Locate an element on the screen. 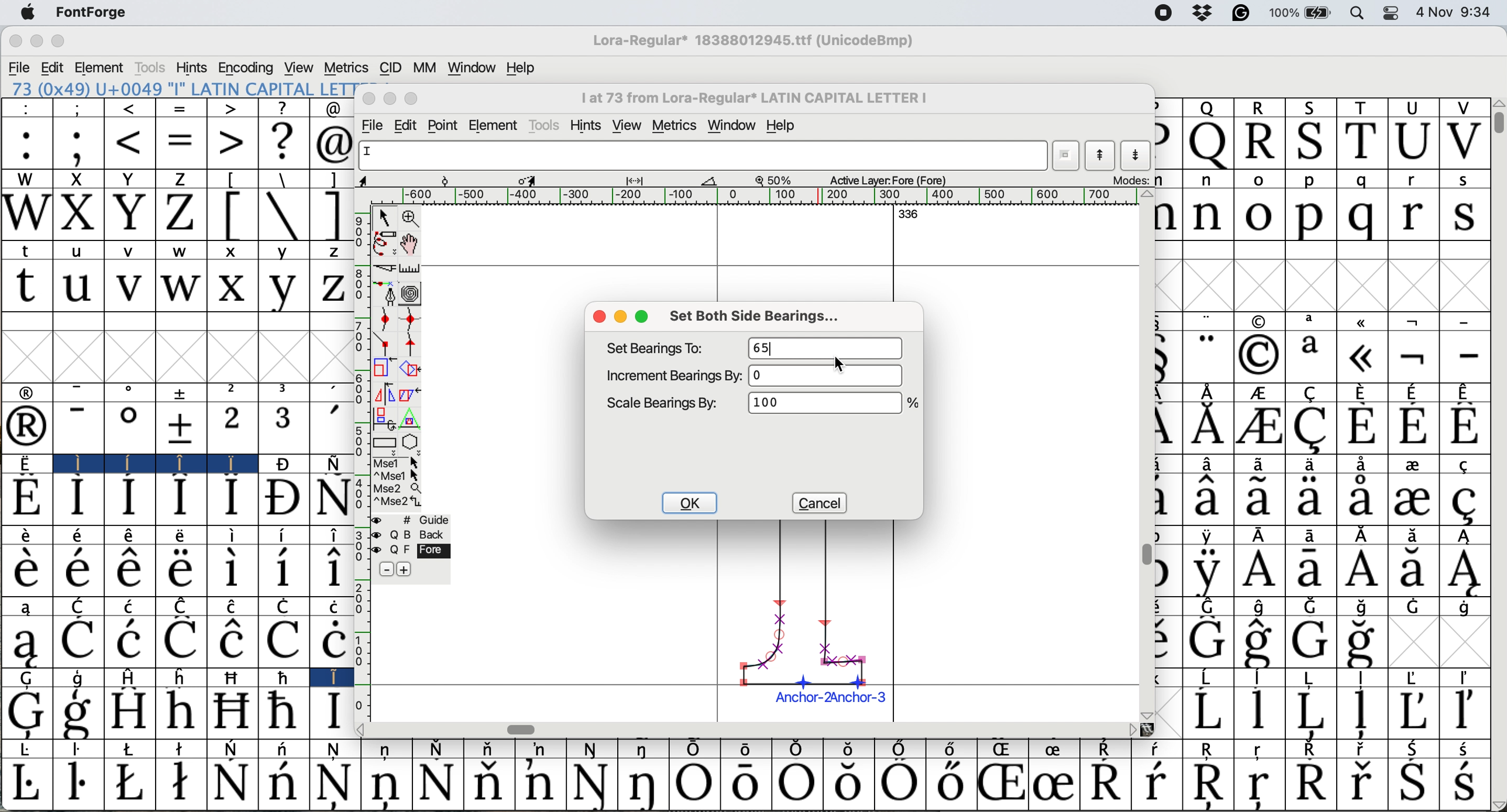  horizontal scale is located at coordinates (756, 196).